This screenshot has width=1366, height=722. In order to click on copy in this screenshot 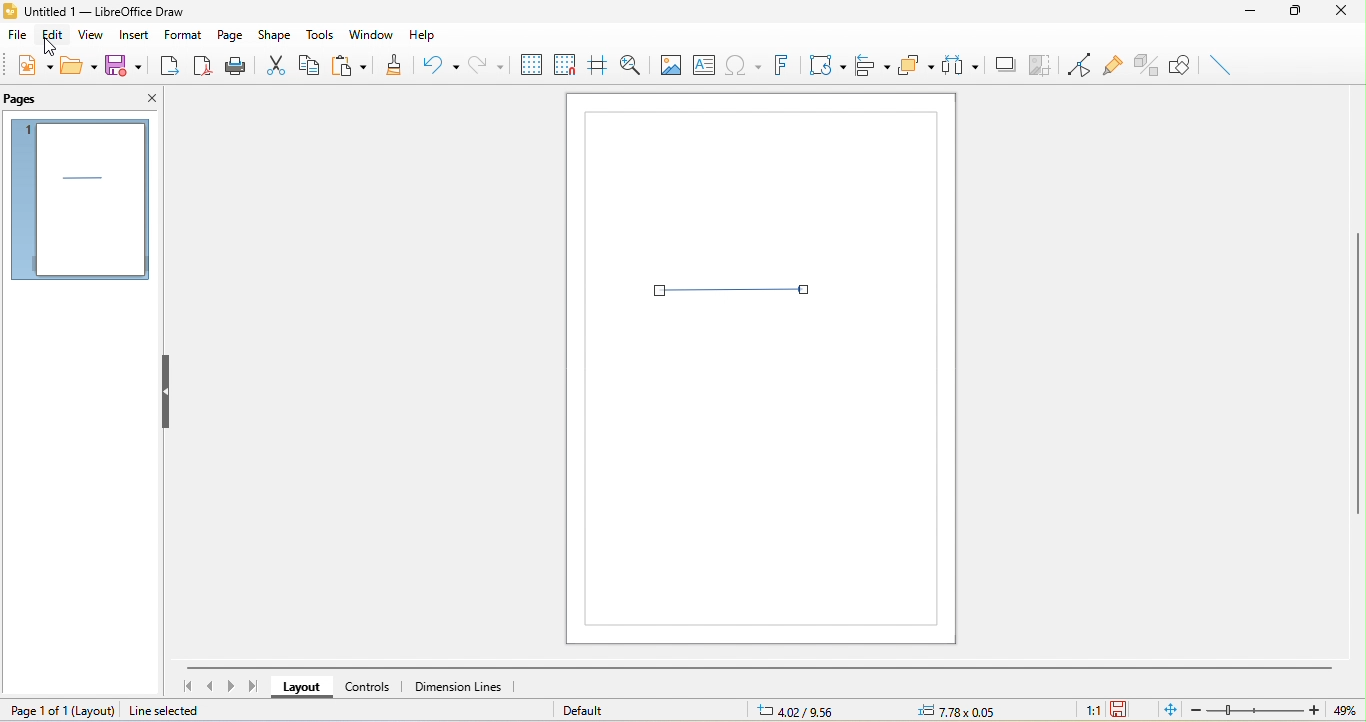, I will do `click(316, 68)`.